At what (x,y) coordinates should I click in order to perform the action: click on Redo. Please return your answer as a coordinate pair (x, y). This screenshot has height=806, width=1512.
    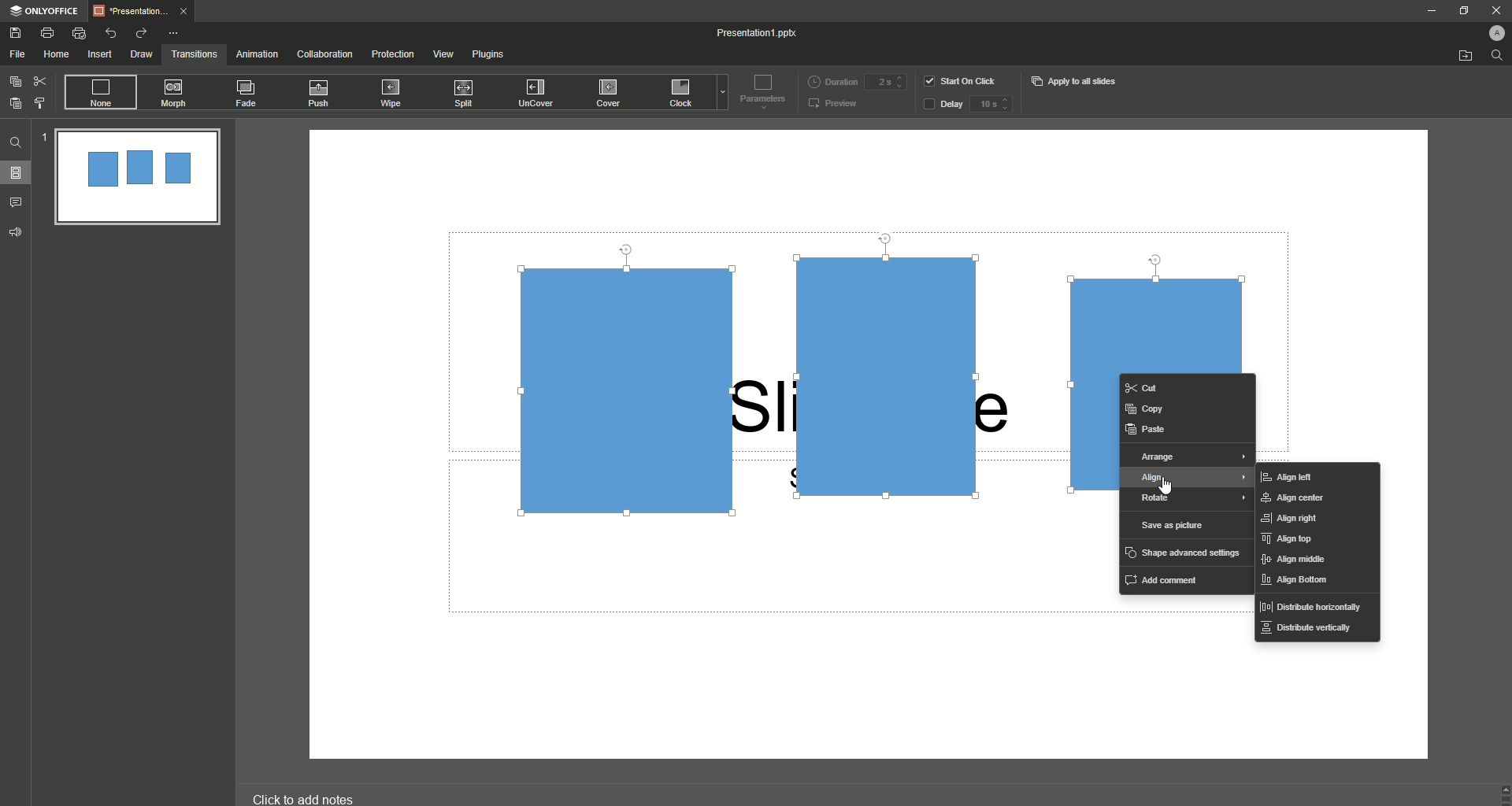
    Looking at the image, I should click on (140, 33).